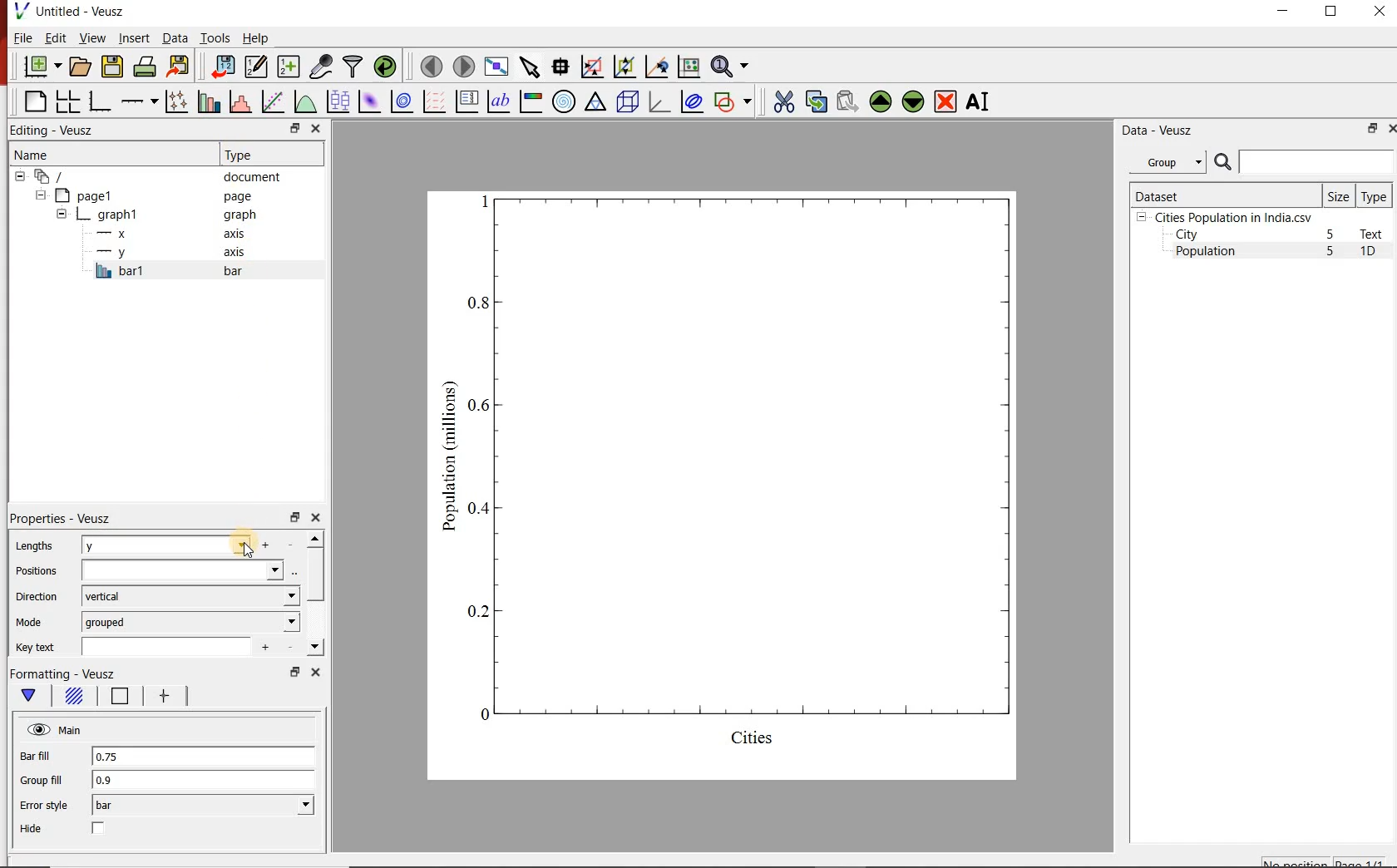 The width and height of the screenshot is (1397, 868). What do you see at coordinates (658, 101) in the screenshot?
I see `3d graph` at bounding box center [658, 101].